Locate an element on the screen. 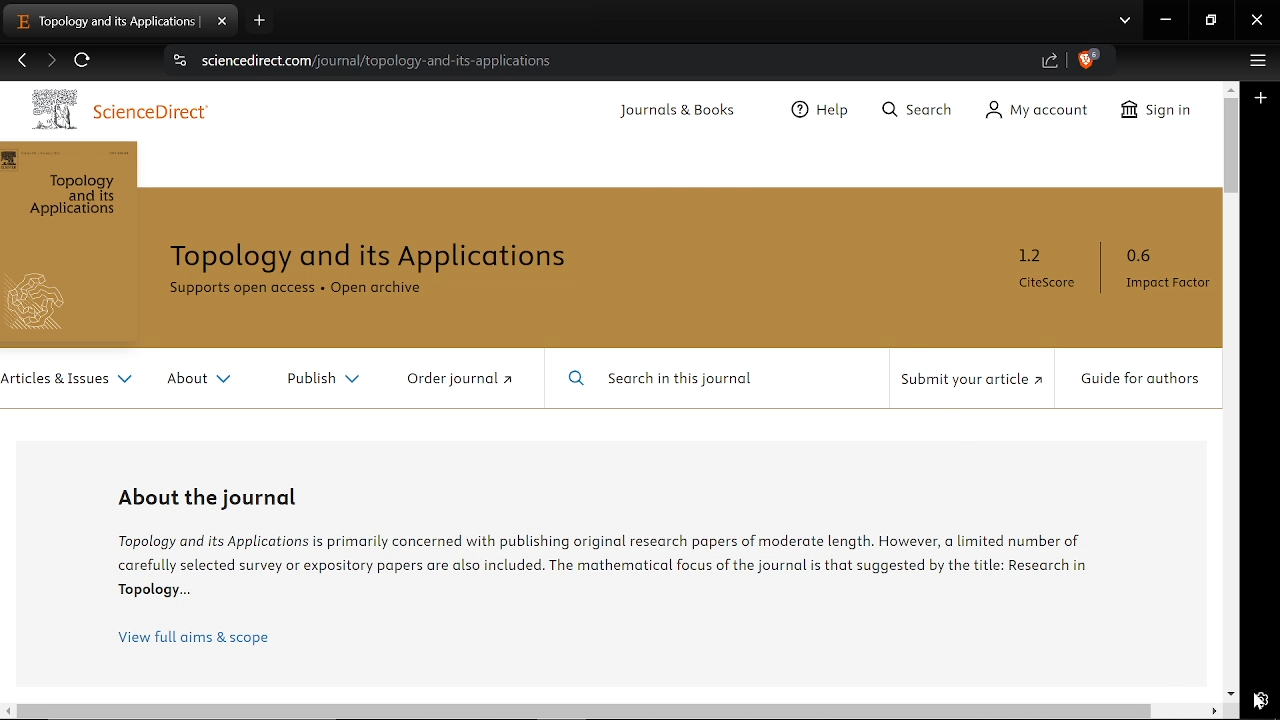 This screenshot has height=720, width=1280. Submit your article is located at coordinates (973, 380).